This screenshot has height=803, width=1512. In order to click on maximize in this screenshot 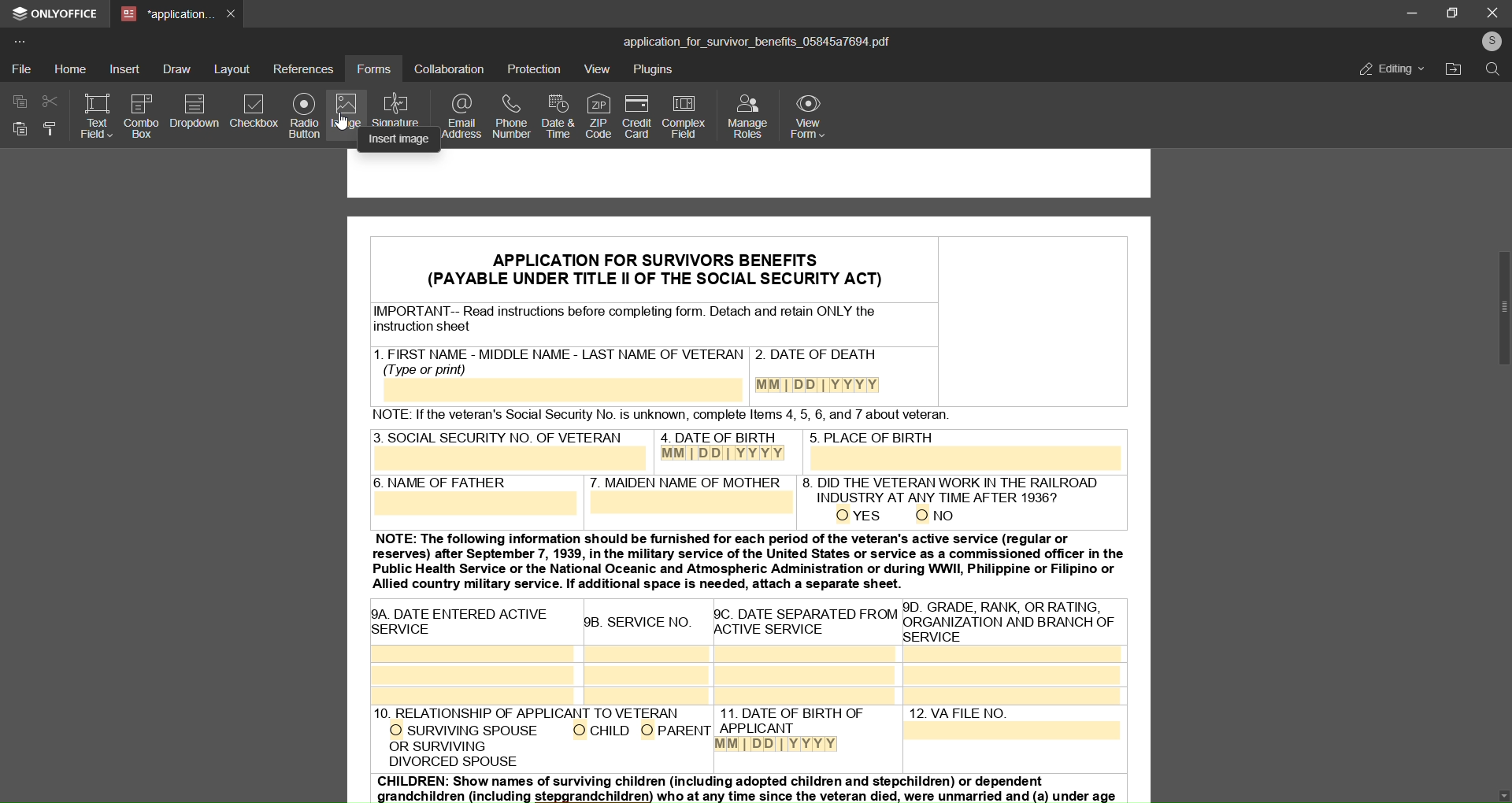, I will do `click(1455, 12)`.